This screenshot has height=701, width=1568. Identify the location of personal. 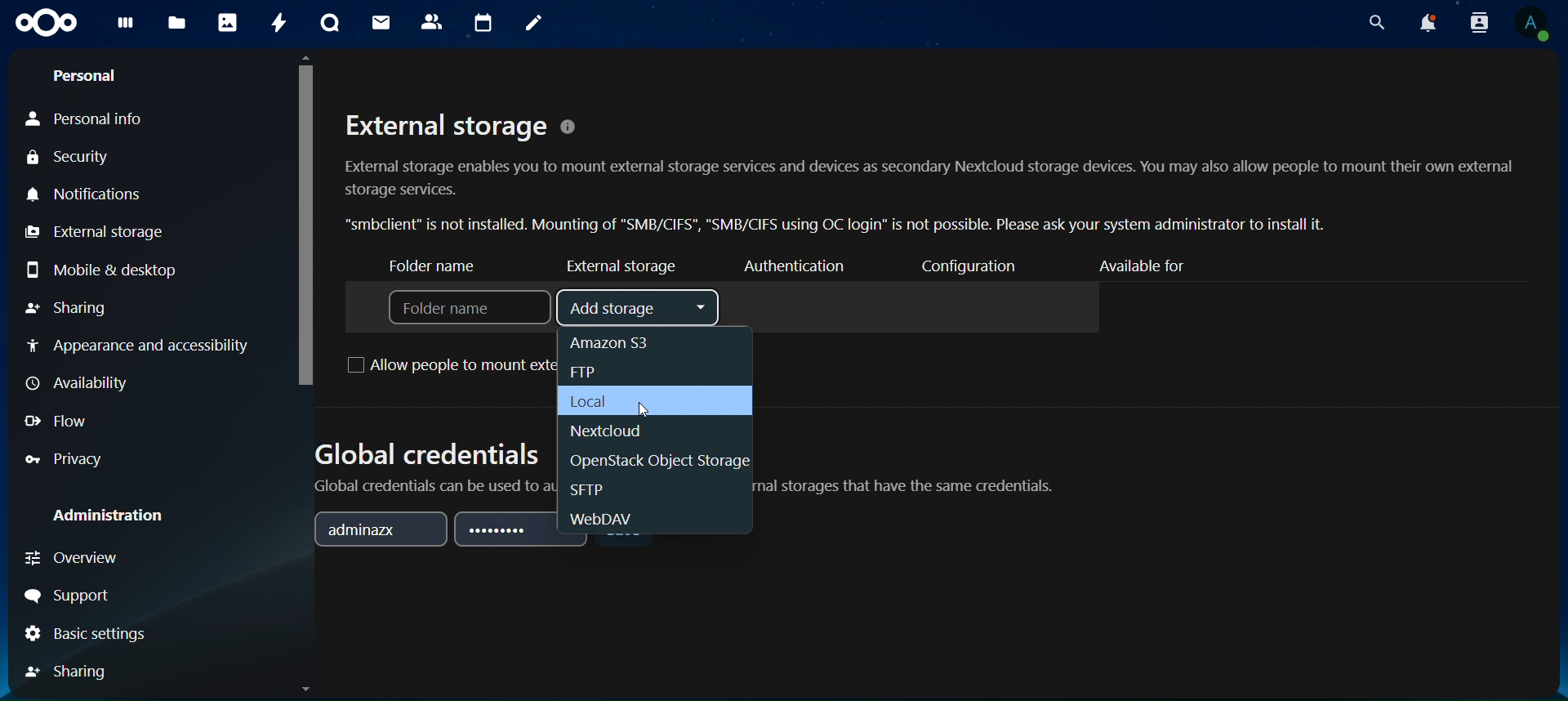
(87, 73).